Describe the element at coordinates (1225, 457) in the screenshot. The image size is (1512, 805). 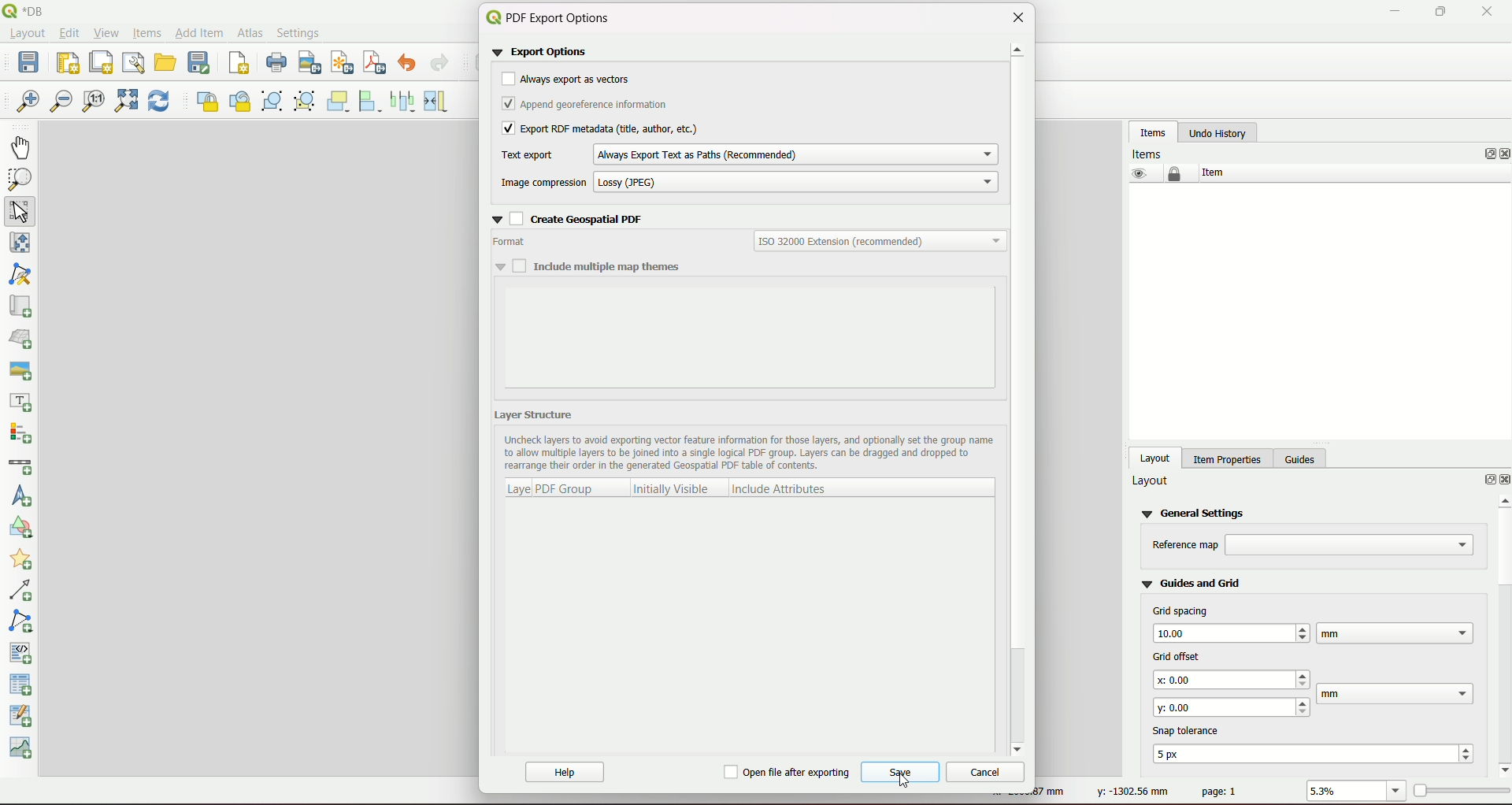
I see `item properties` at that location.